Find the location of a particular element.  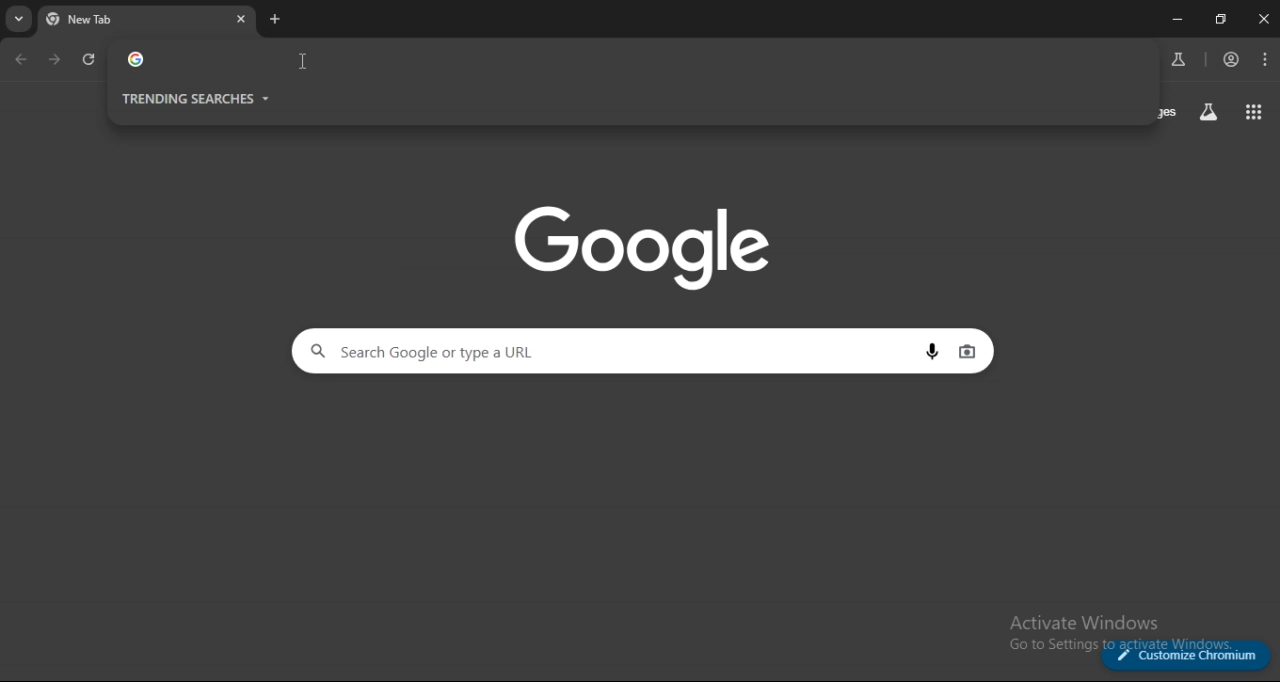

reload page is located at coordinates (90, 63).